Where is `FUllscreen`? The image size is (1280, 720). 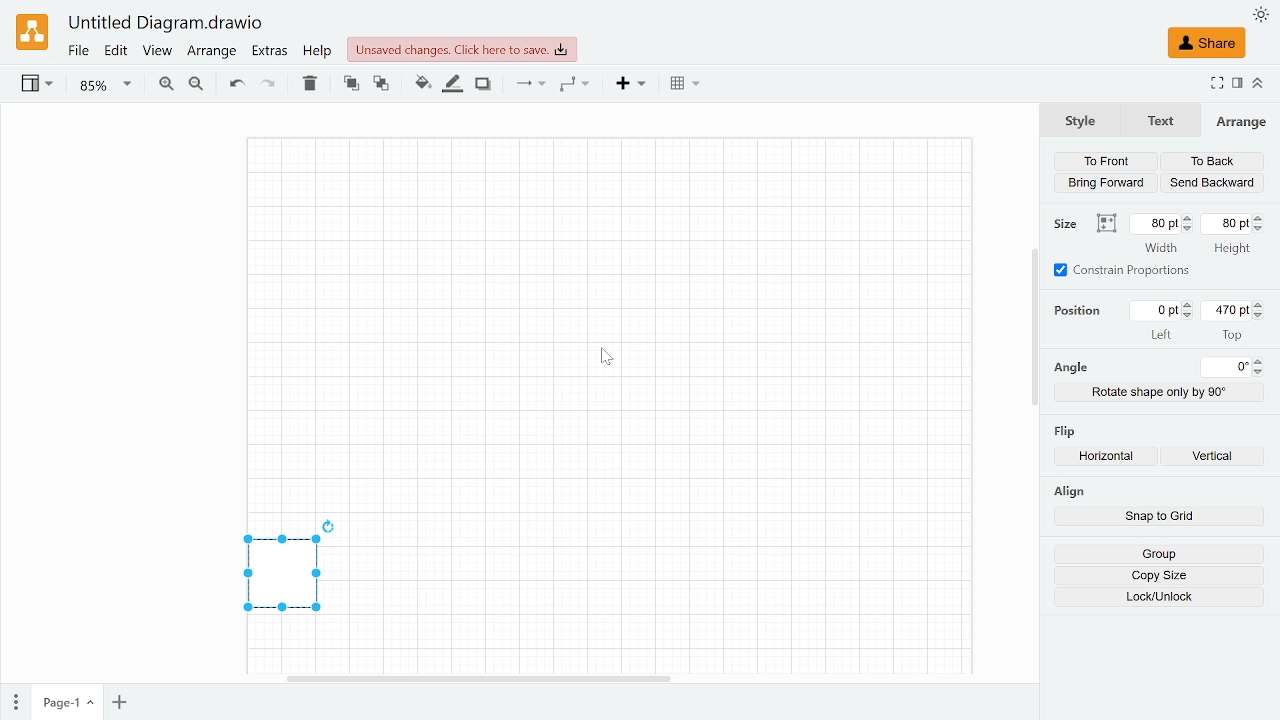 FUllscreen is located at coordinates (1216, 85).